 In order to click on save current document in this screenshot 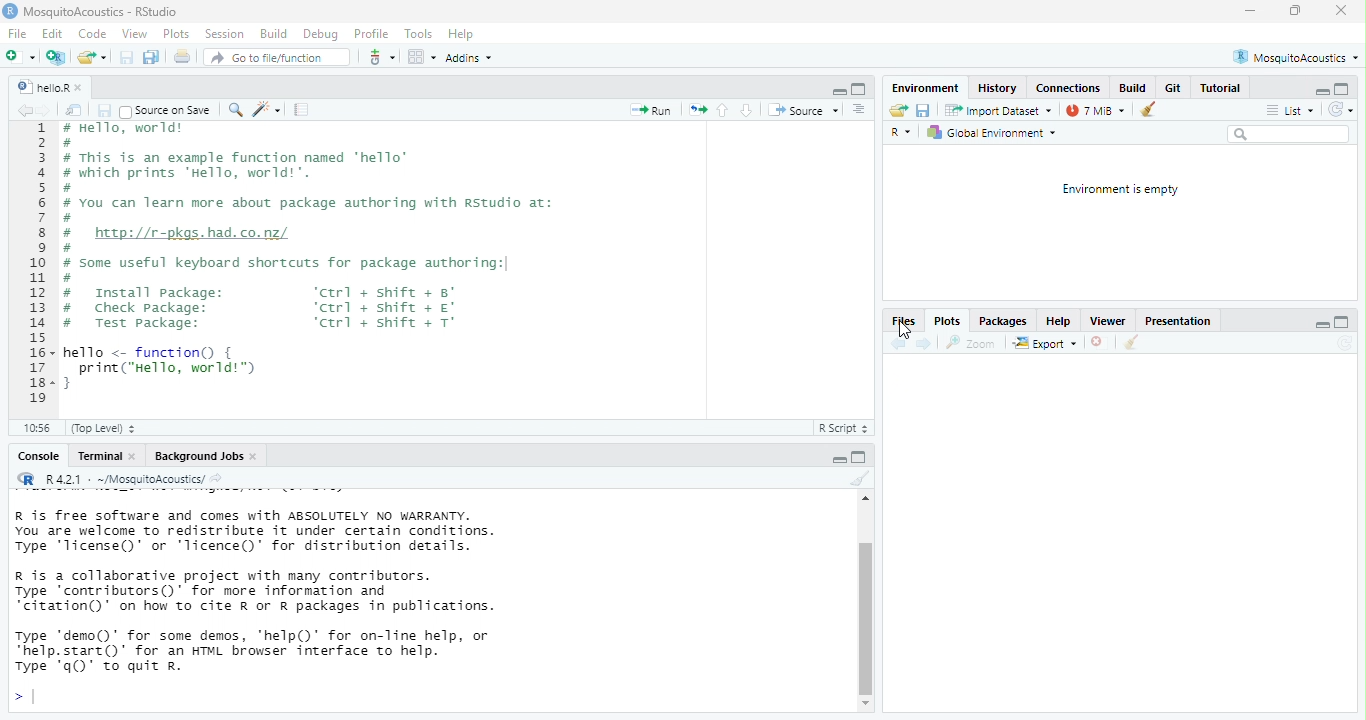, I will do `click(928, 112)`.